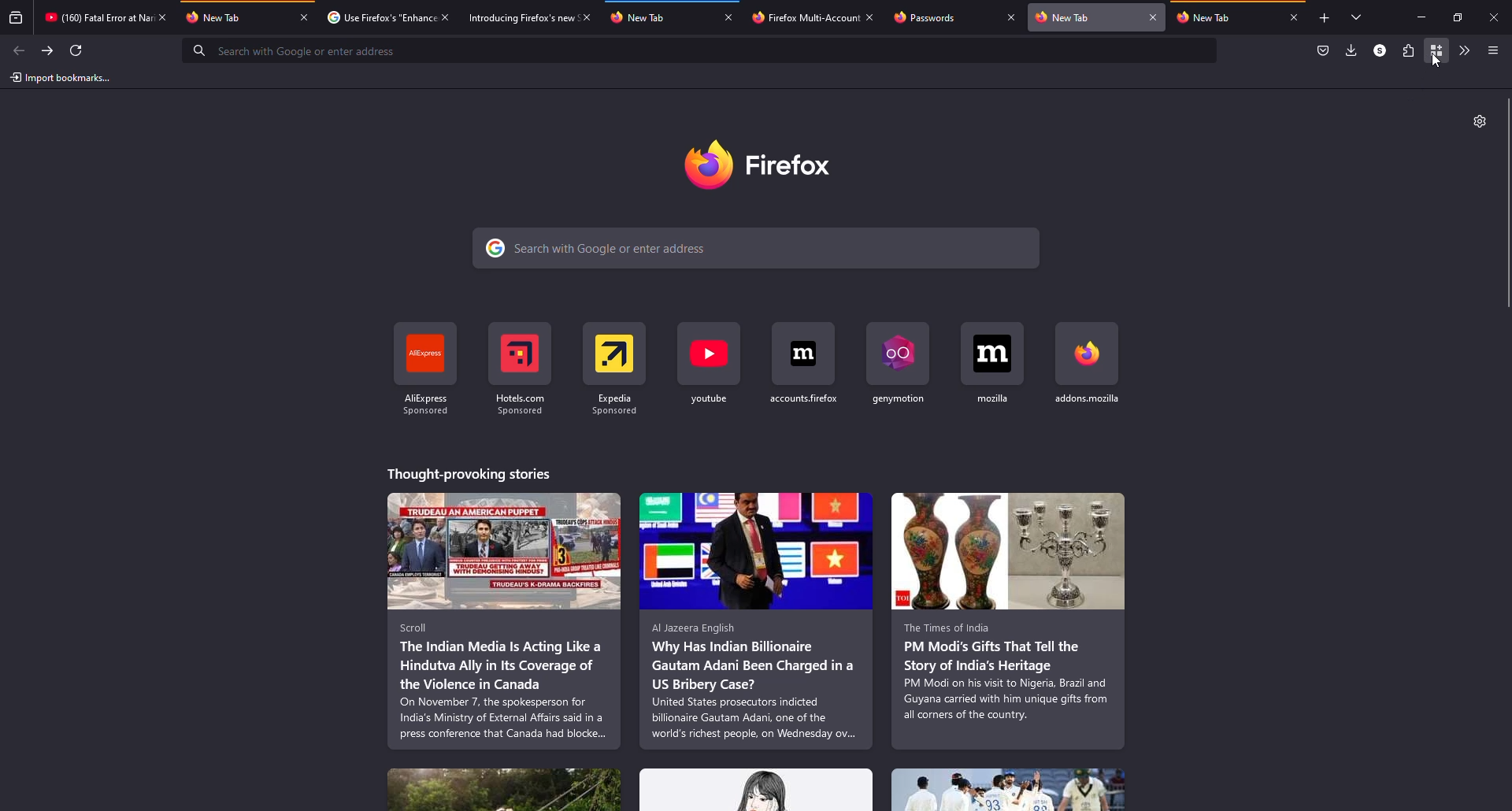  What do you see at coordinates (1437, 50) in the screenshot?
I see `container` at bounding box center [1437, 50].